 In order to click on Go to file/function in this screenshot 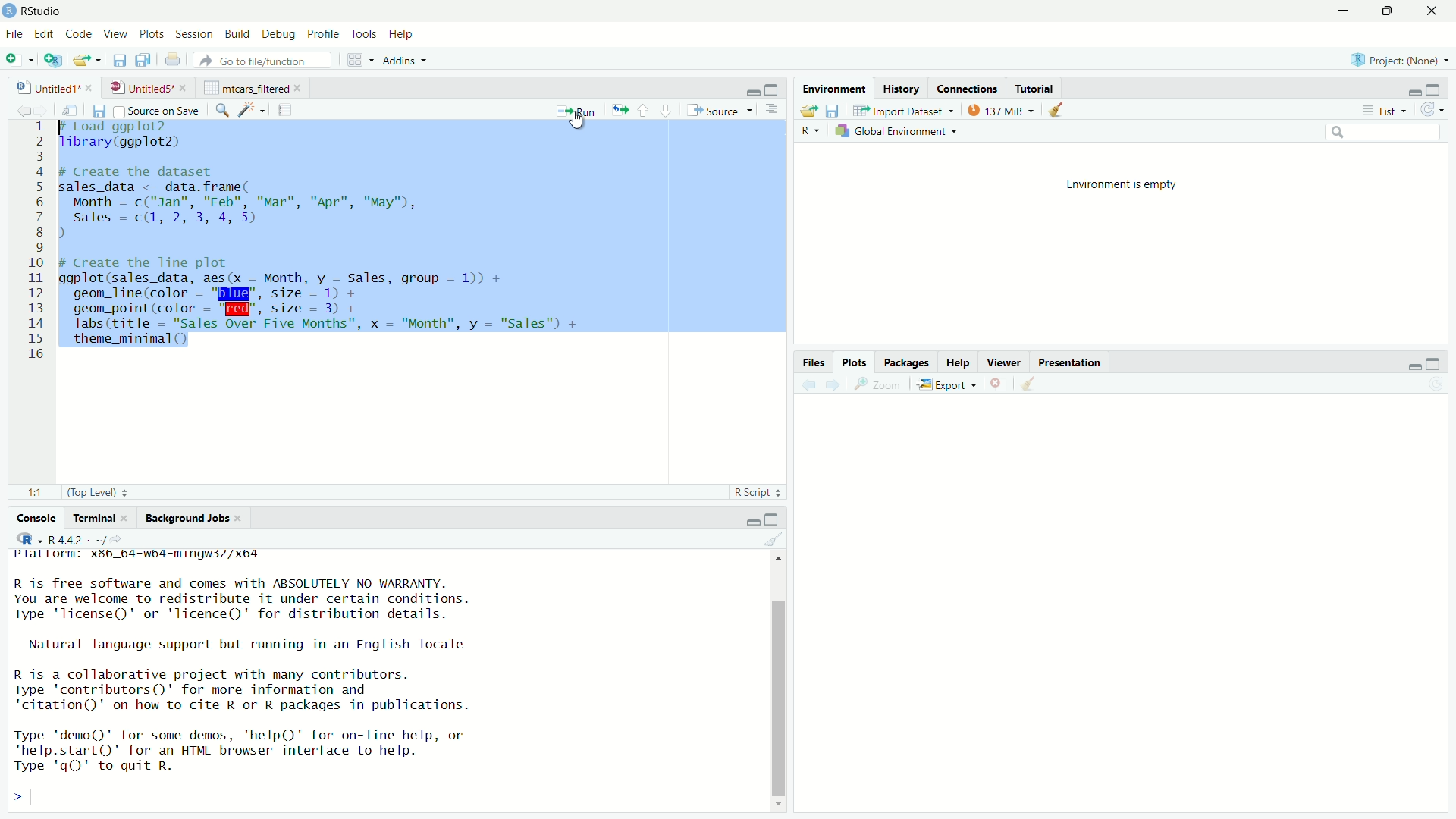, I will do `click(262, 60)`.